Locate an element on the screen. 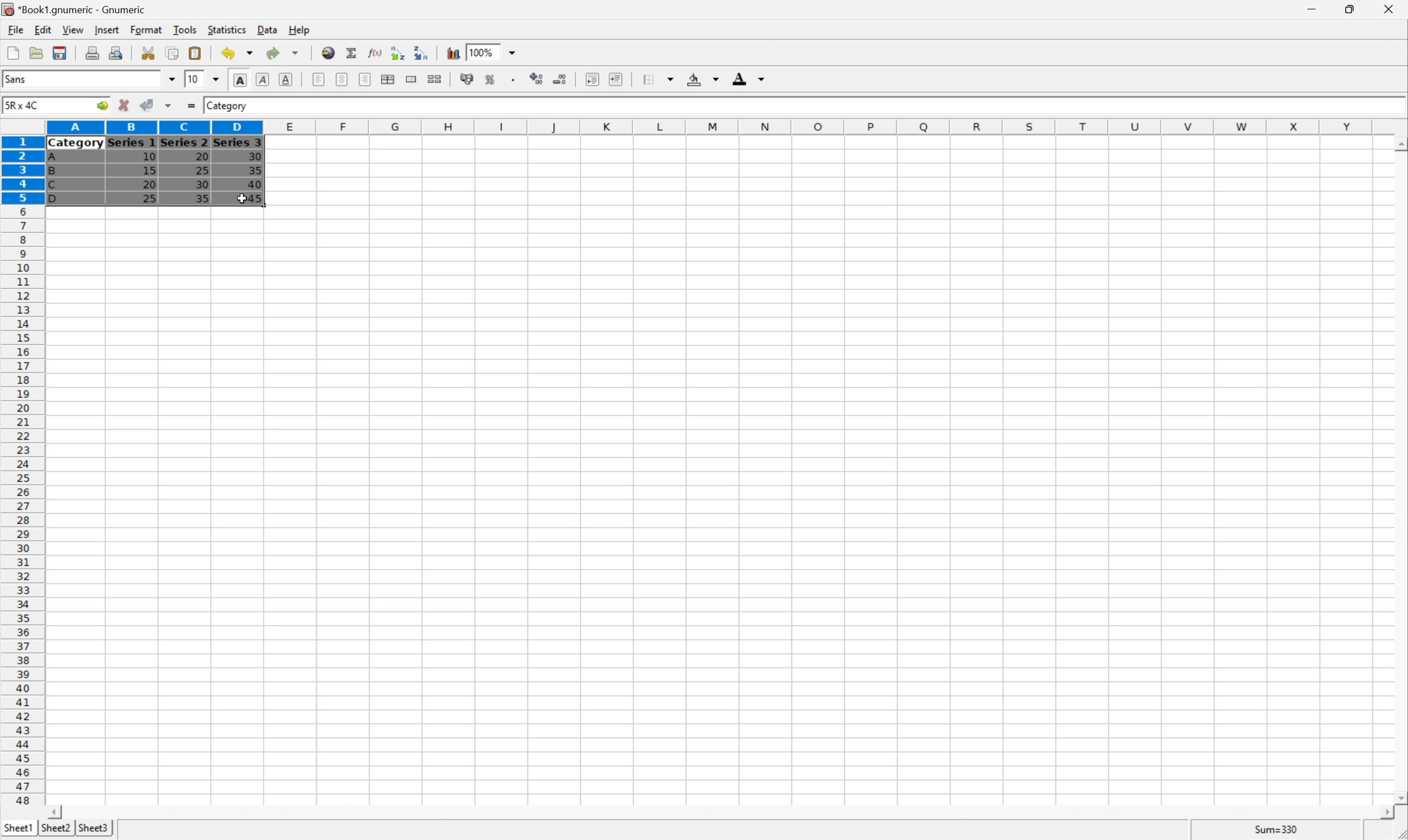 The height and width of the screenshot is (840, 1408). Borders is located at coordinates (661, 78).